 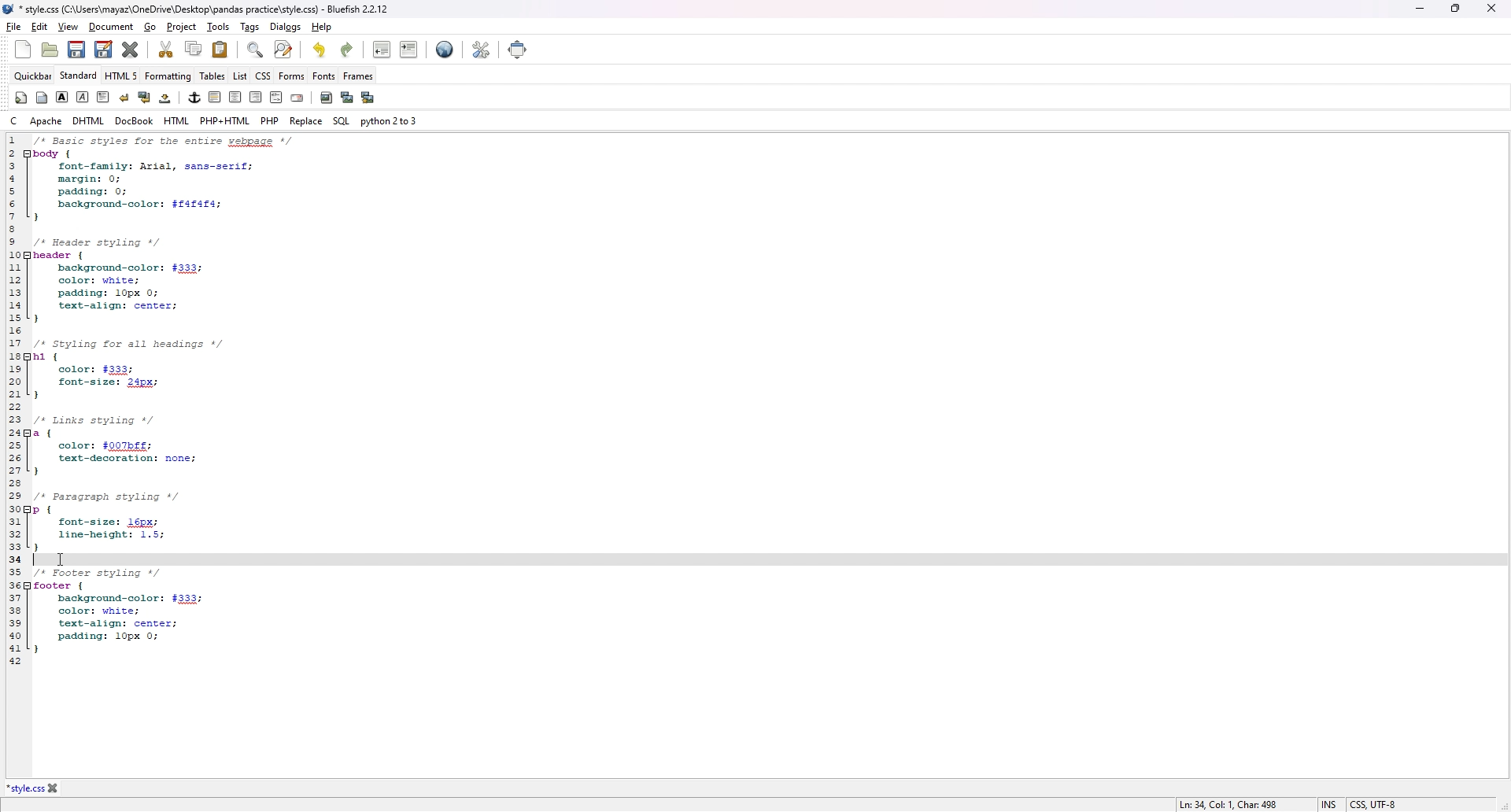 What do you see at coordinates (306, 121) in the screenshot?
I see `replace` at bounding box center [306, 121].